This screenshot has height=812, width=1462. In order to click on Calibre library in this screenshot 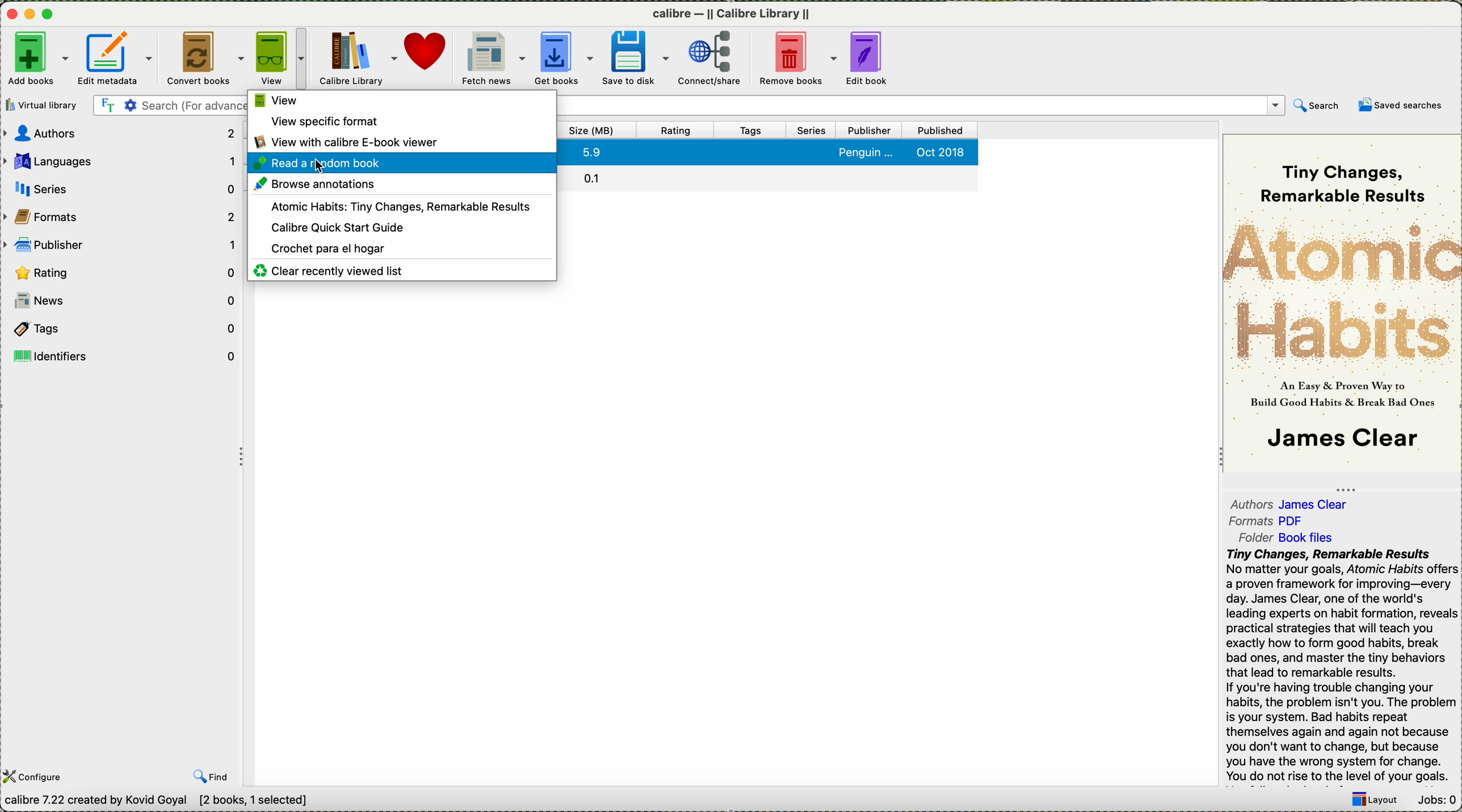, I will do `click(359, 57)`.